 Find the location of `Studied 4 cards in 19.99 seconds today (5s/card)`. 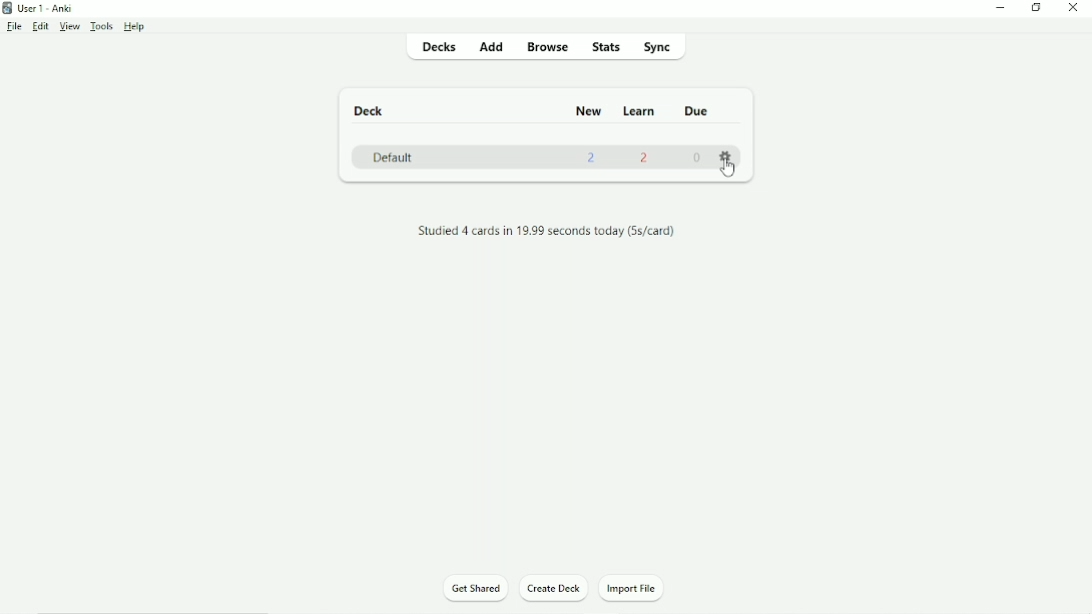

Studied 4 cards in 19.99 seconds today (5s/card) is located at coordinates (548, 231).